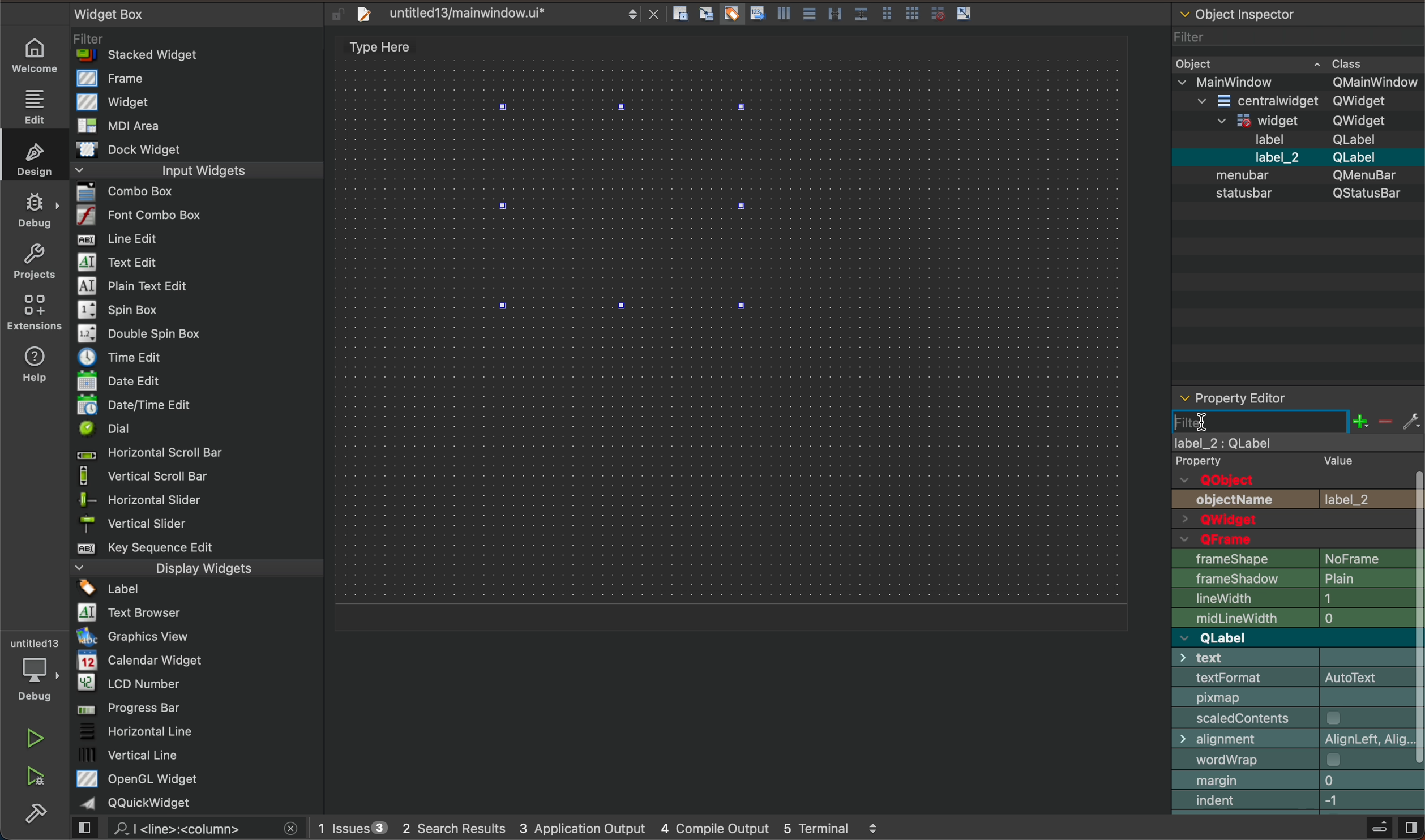  I want to click on design, so click(33, 156).